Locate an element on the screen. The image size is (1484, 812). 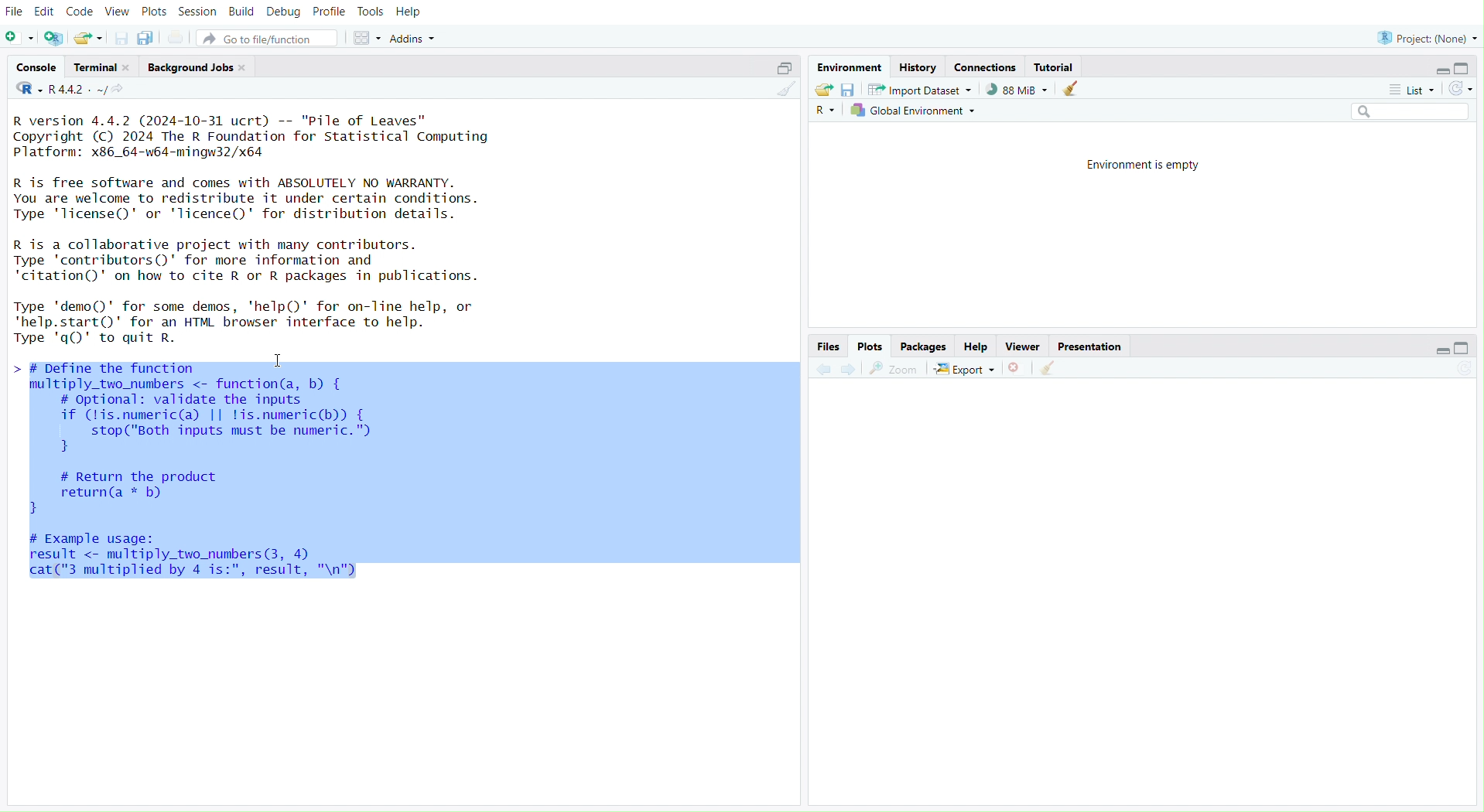
Global Environment is located at coordinates (916, 111).